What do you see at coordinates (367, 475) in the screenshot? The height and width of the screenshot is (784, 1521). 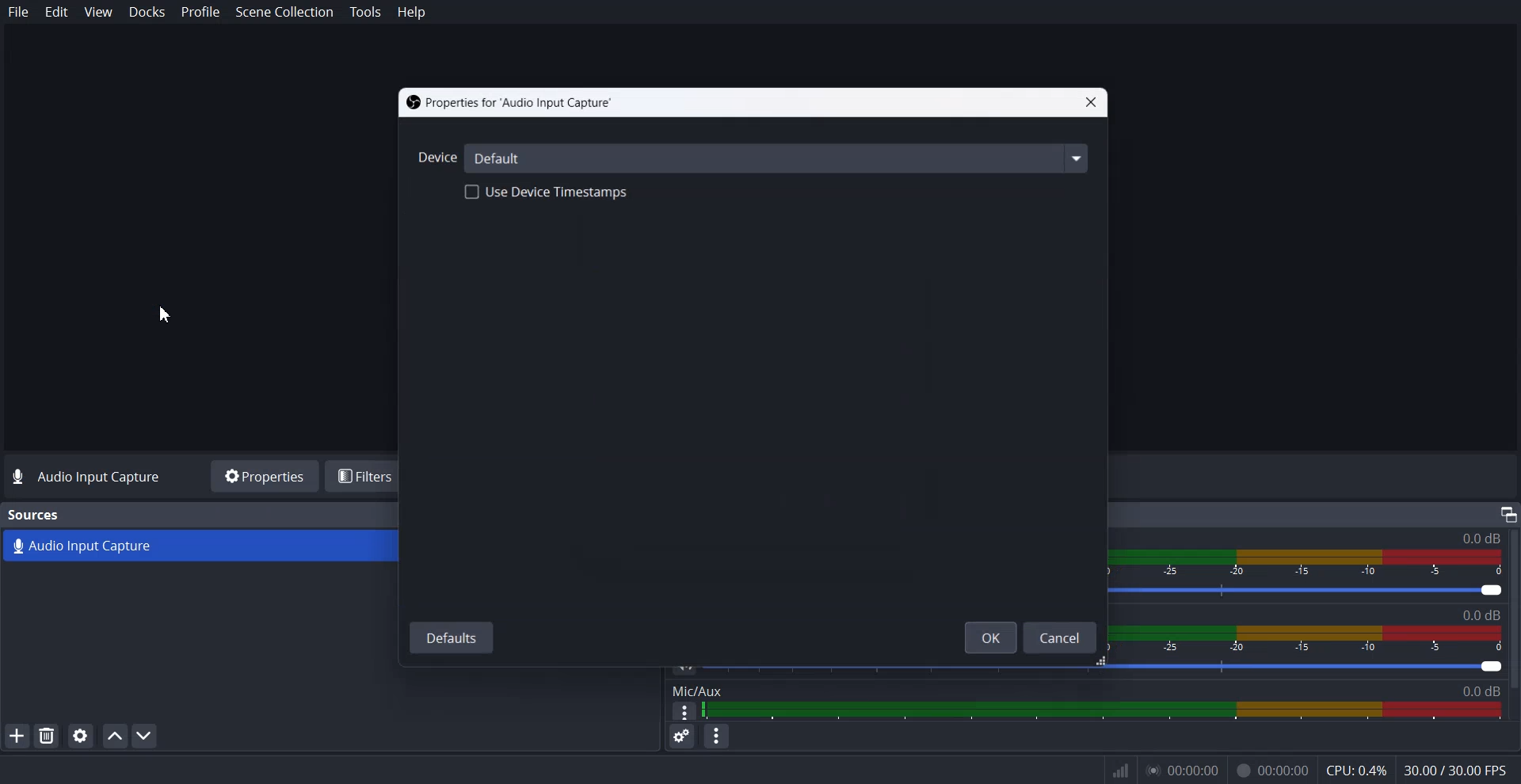 I see `Filters` at bounding box center [367, 475].